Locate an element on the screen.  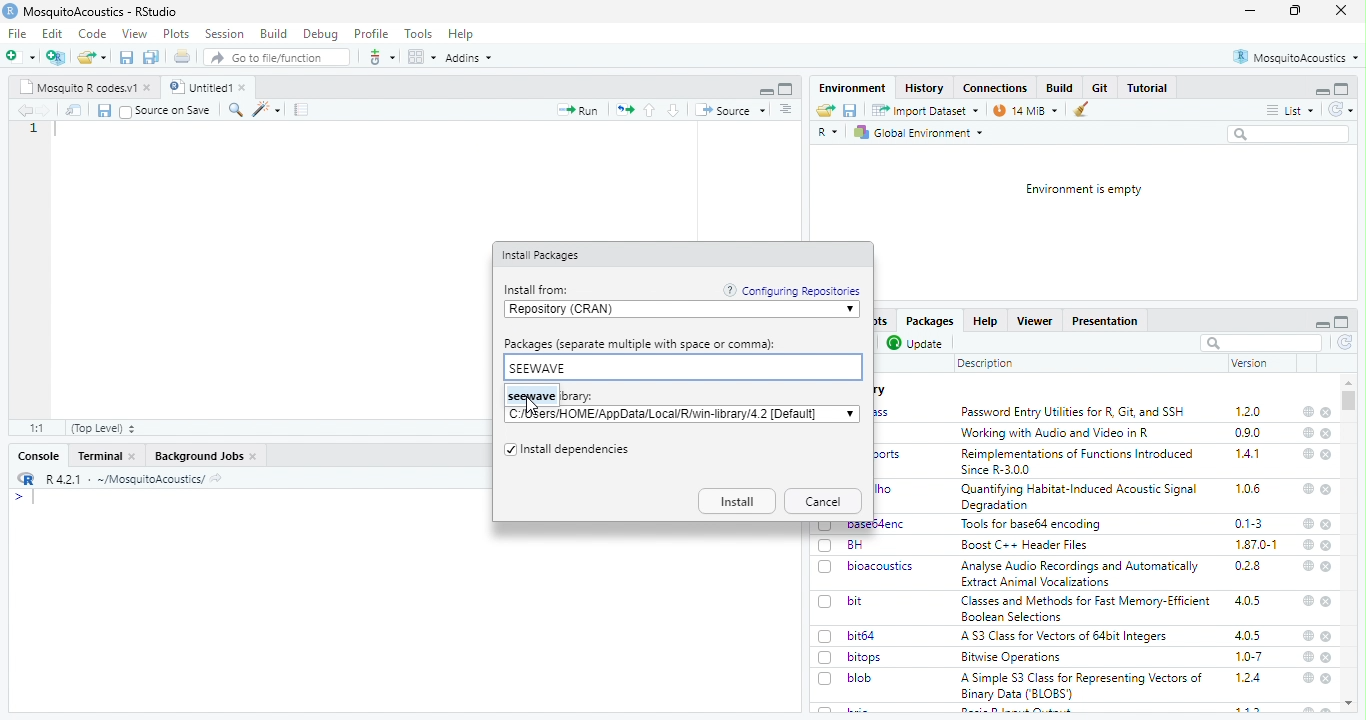
web is located at coordinates (1310, 433).